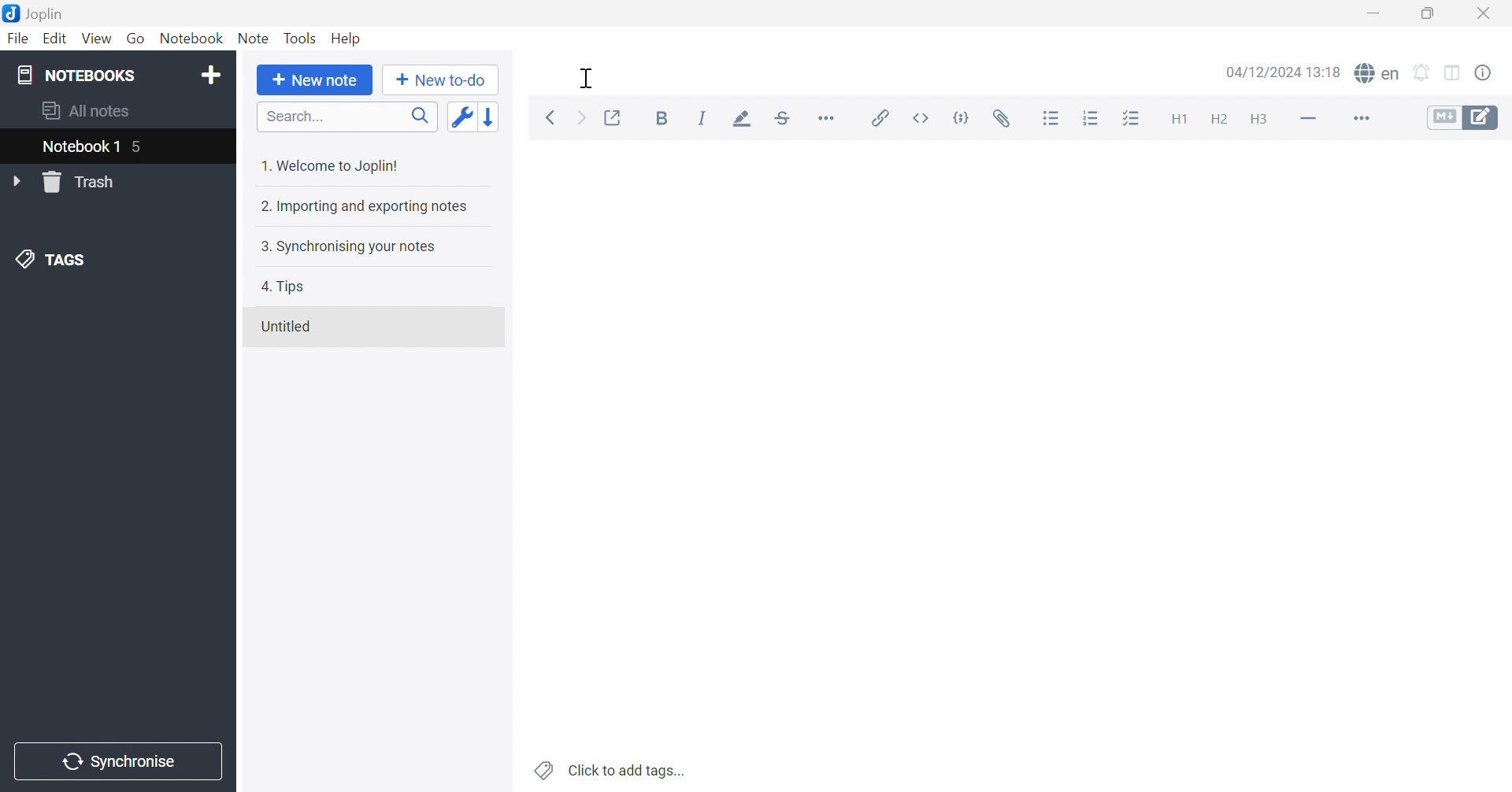 This screenshot has height=792, width=1512. What do you see at coordinates (1089, 119) in the screenshot?
I see `Numbered list` at bounding box center [1089, 119].